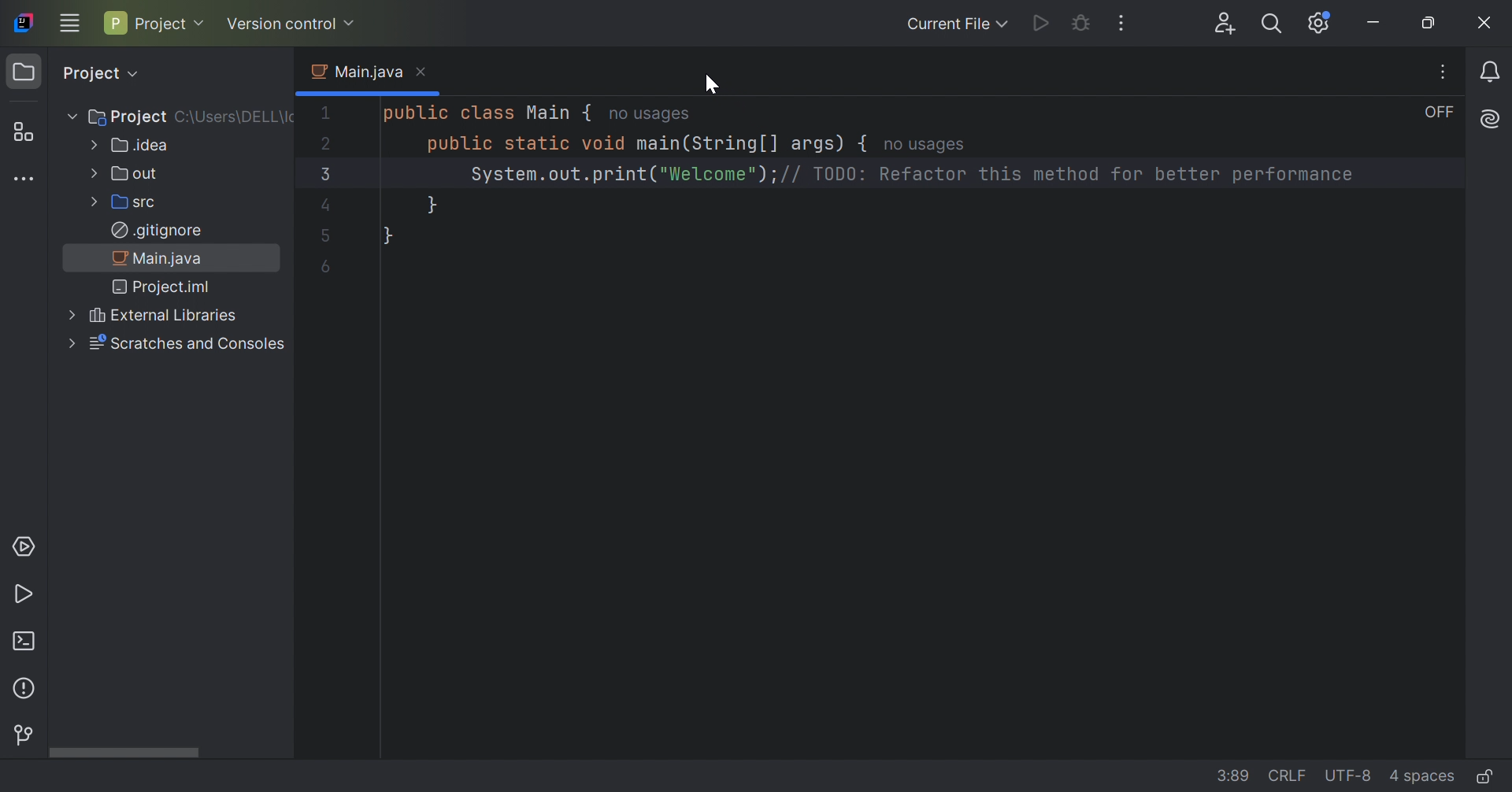  Describe the element at coordinates (430, 205) in the screenshot. I see `}` at that location.